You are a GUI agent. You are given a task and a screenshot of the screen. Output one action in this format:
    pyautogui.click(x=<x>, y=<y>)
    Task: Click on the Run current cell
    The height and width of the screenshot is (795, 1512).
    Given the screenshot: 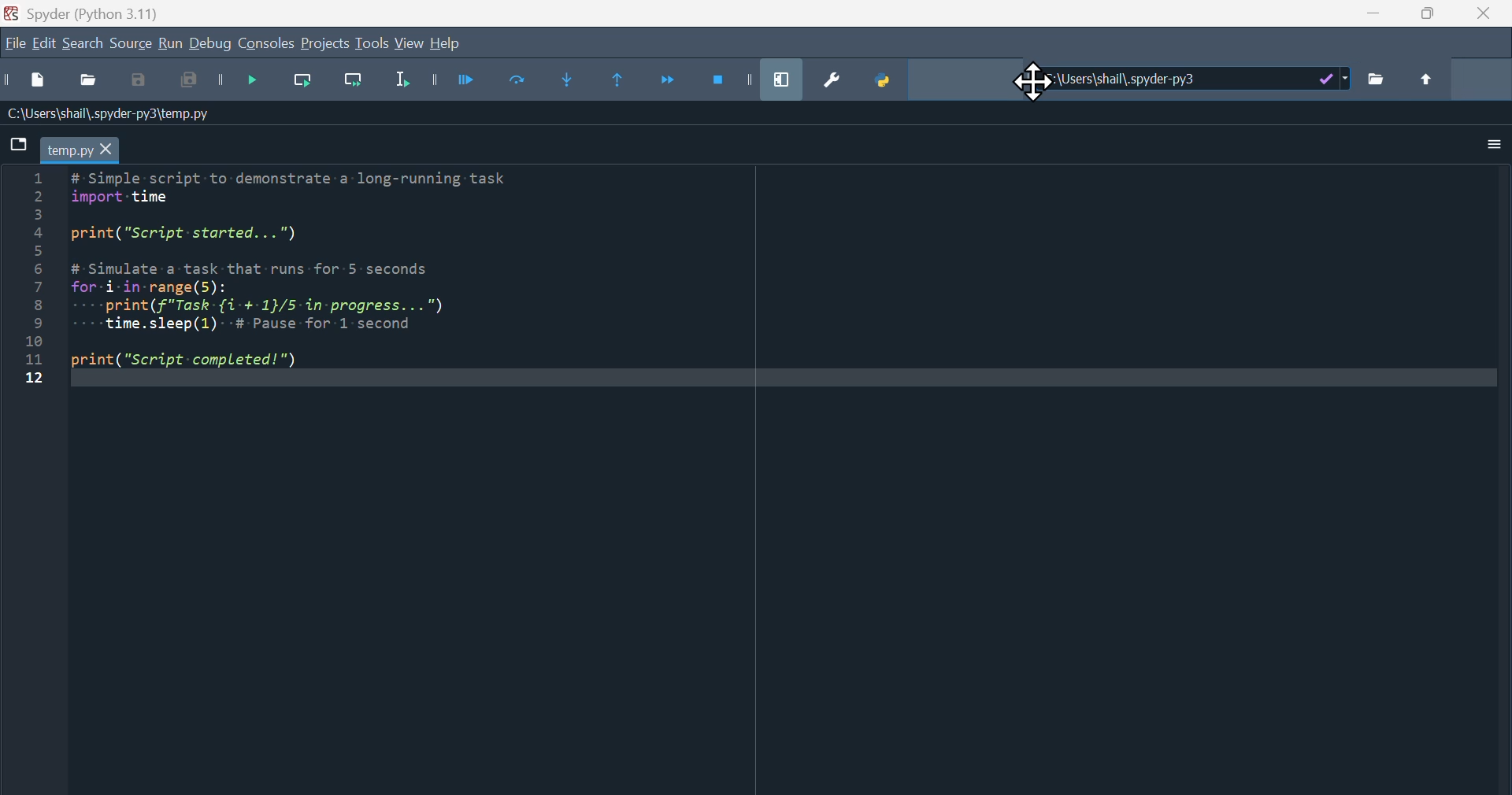 What is the action you would take?
    pyautogui.click(x=528, y=83)
    